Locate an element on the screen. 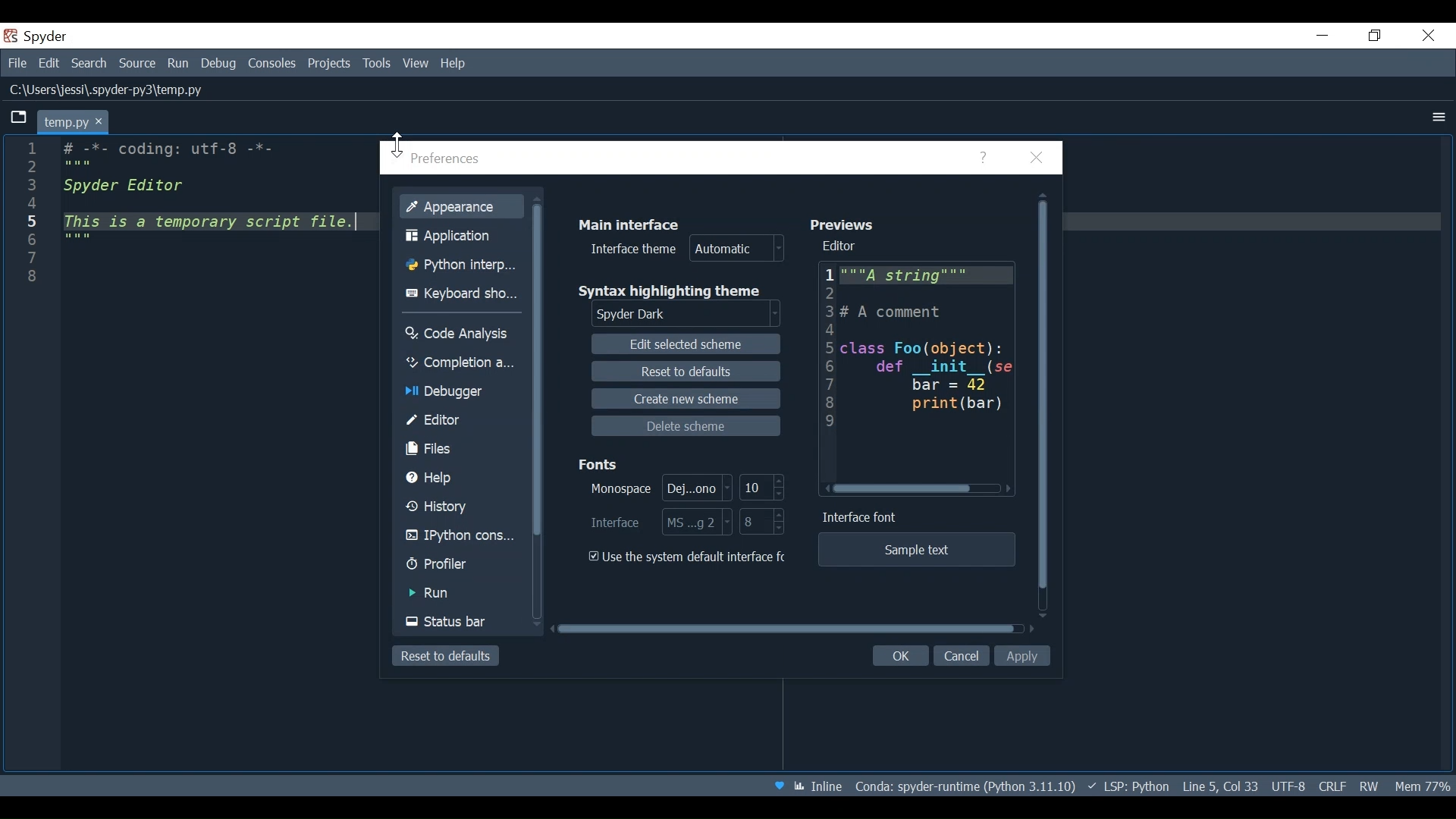  Reset to Defaults is located at coordinates (447, 655).